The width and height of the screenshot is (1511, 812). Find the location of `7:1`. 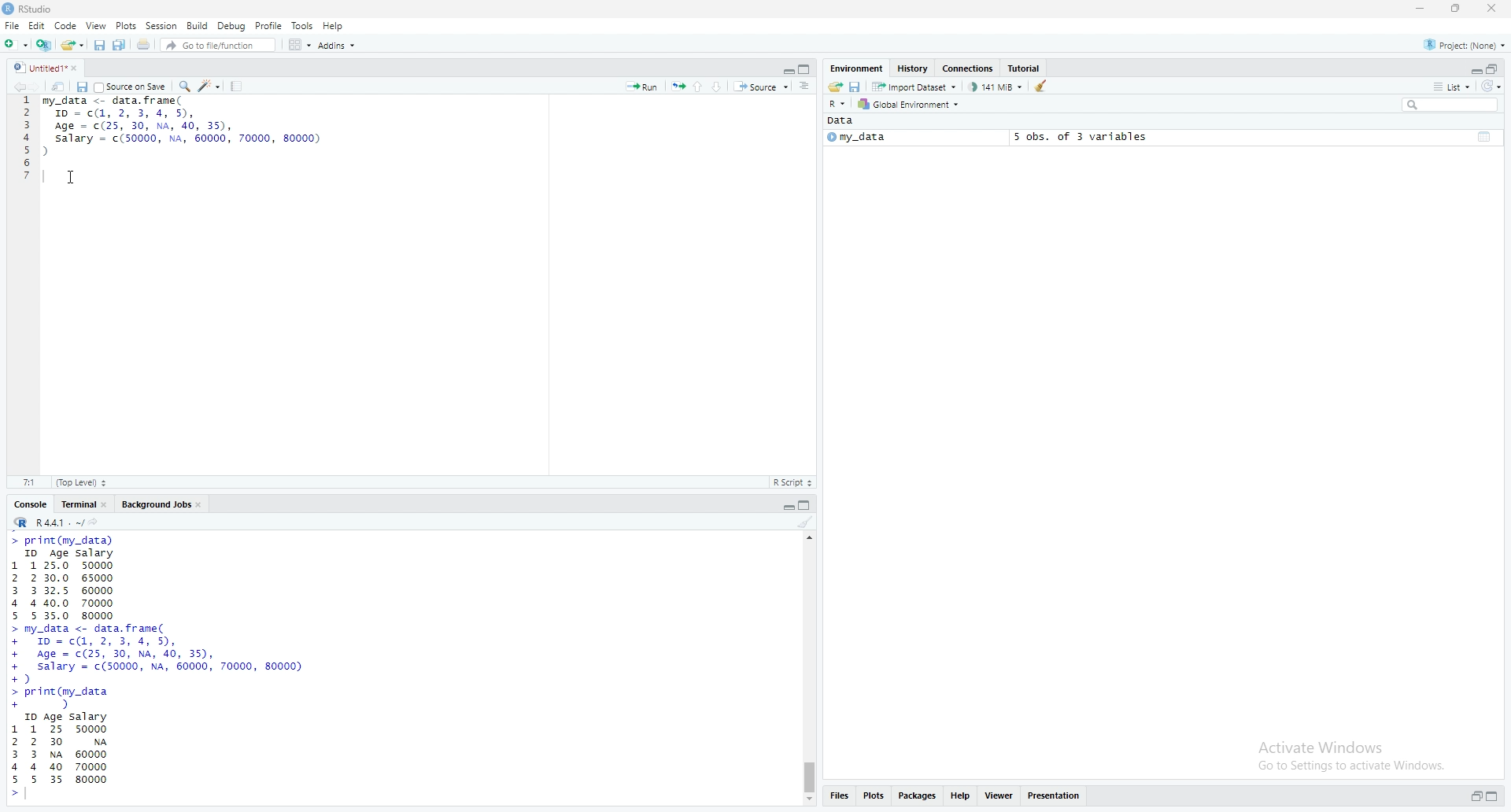

7:1 is located at coordinates (29, 481).